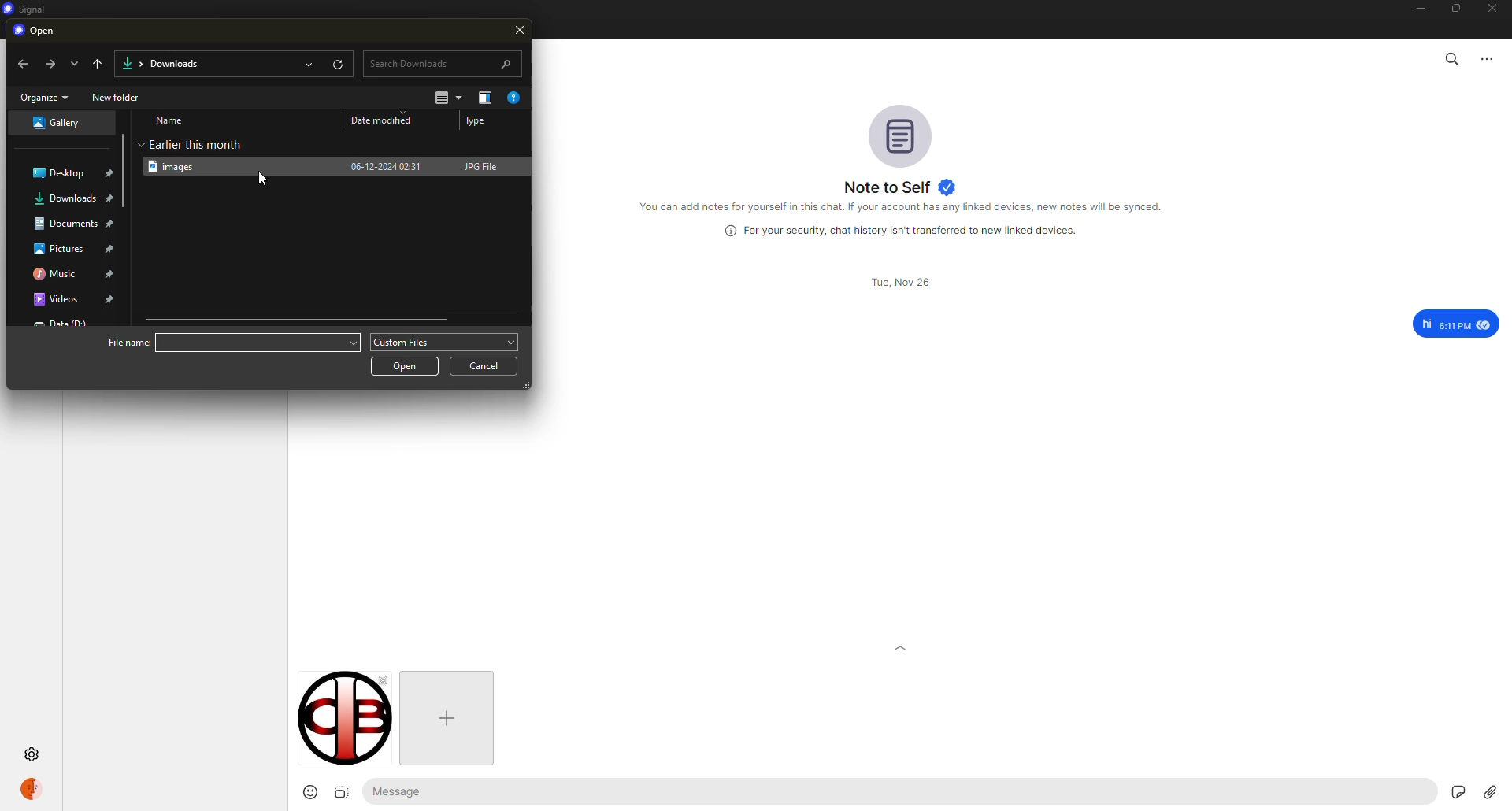  I want to click on date, so click(386, 165).